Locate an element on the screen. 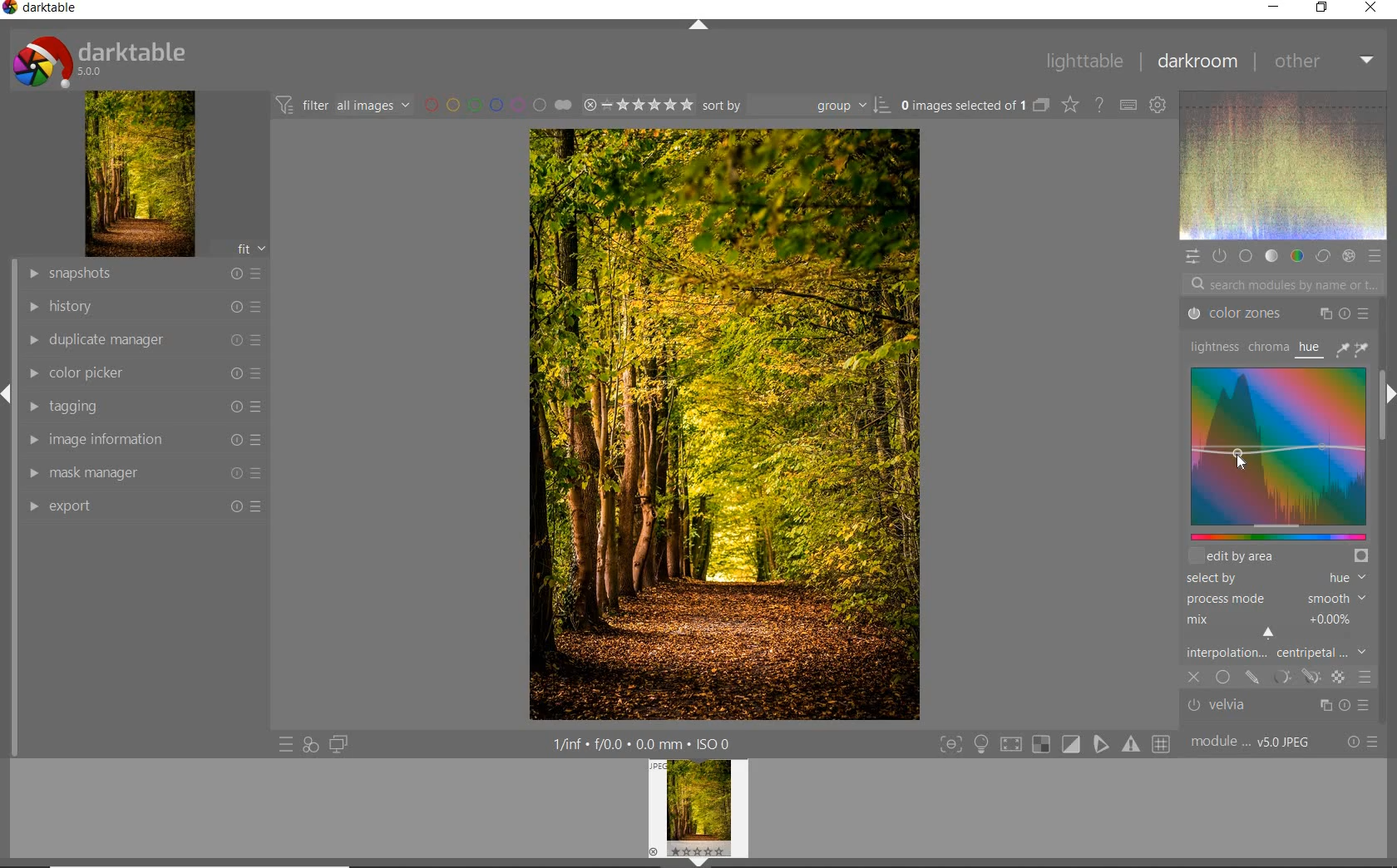  SNAPSHOT is located at coordinates (144, 273).